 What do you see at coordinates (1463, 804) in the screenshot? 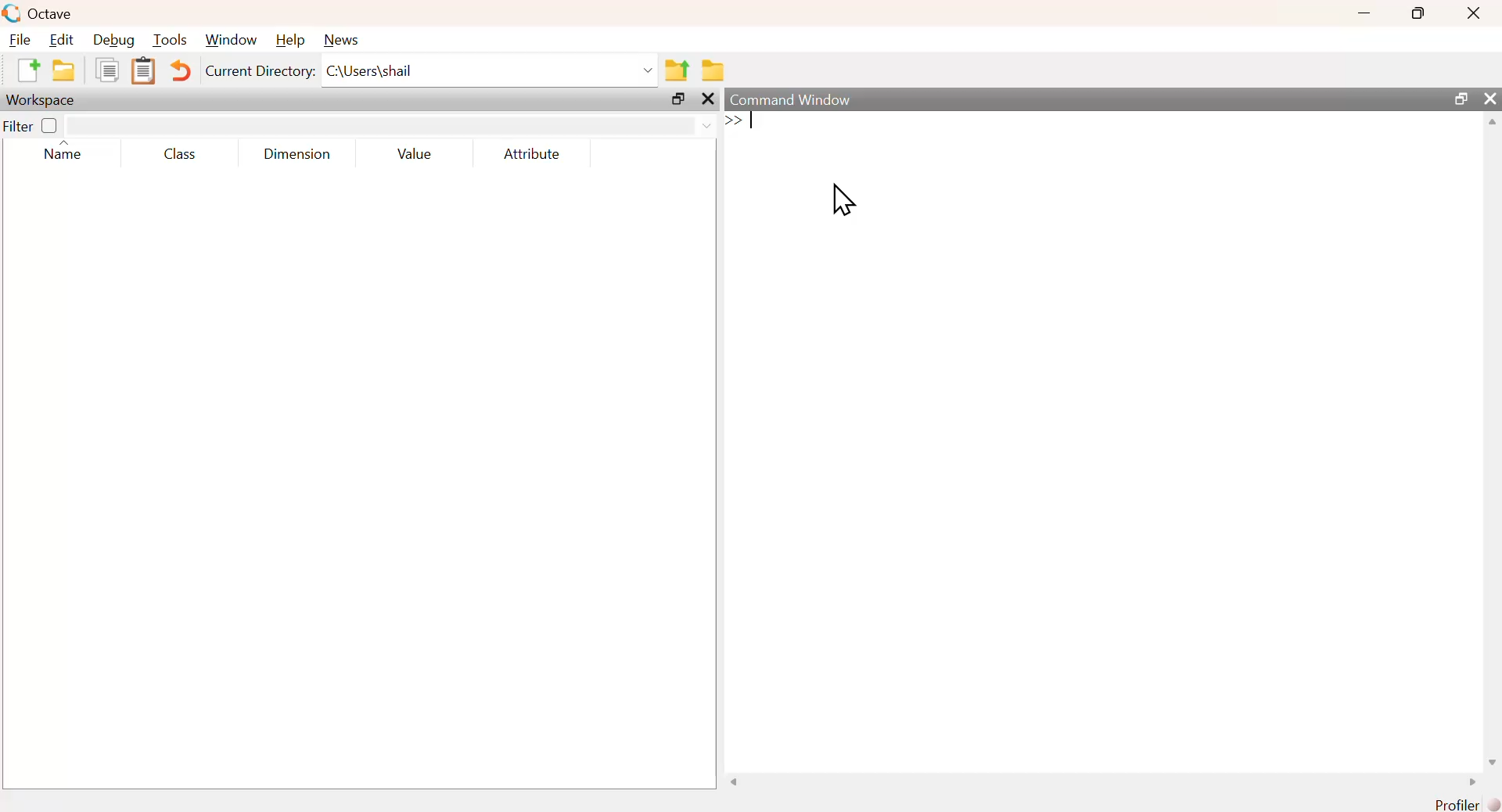
I see `profiler` at bounding box center [1463, 804].